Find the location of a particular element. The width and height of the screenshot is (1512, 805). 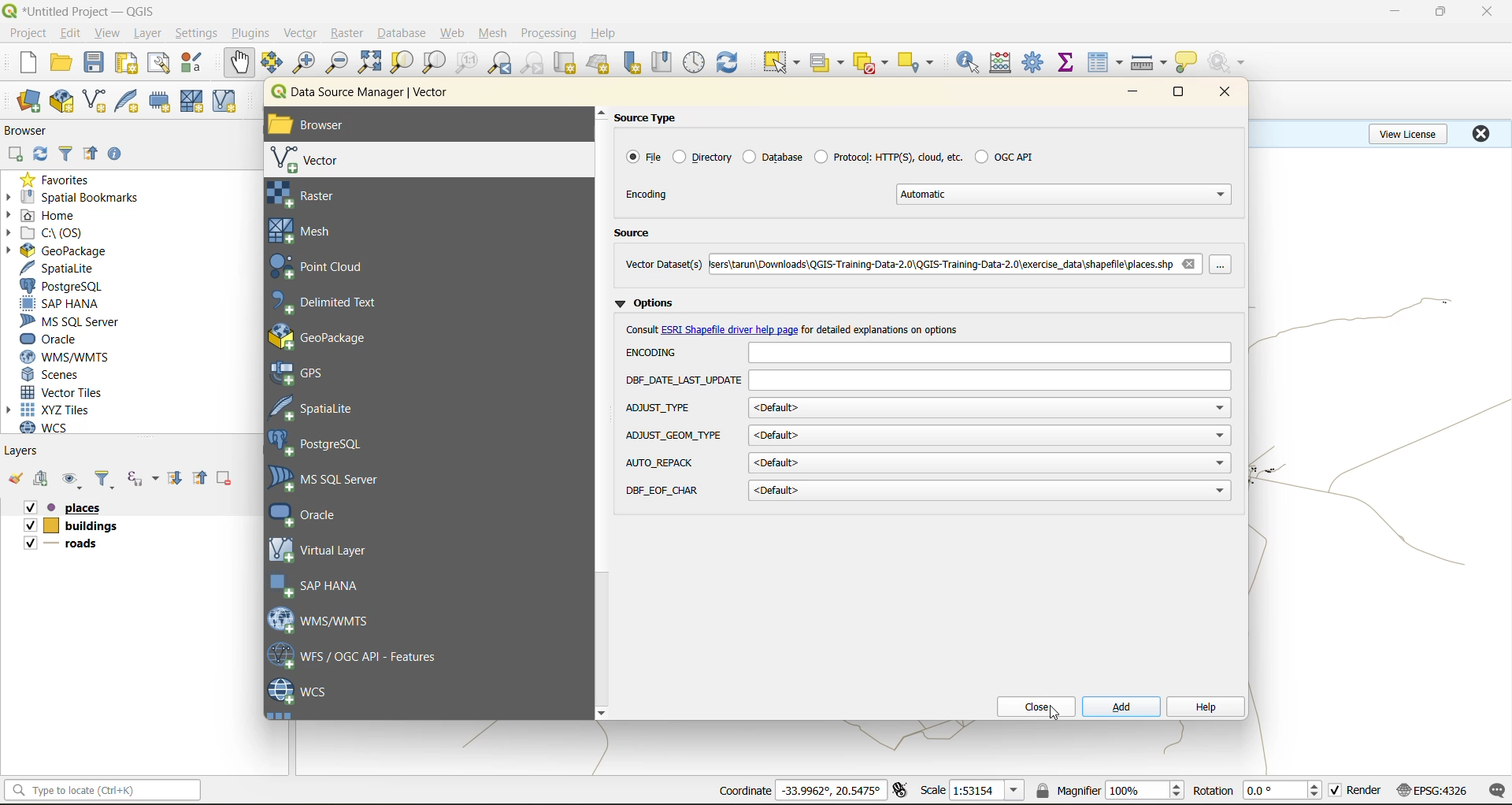

scenes is located at coordinates (52, 375).